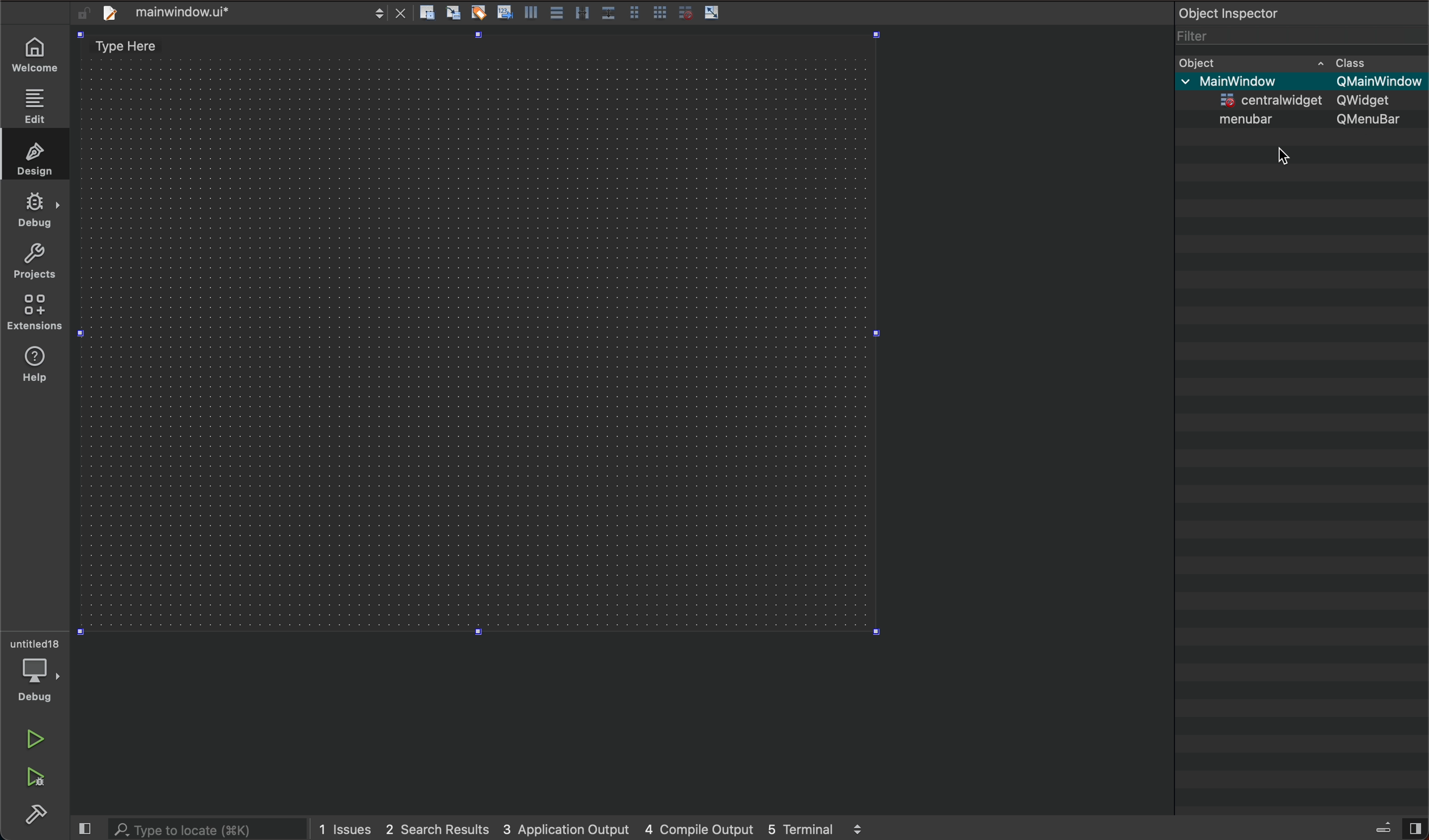 The image size is (1429, 840). Describe the element at coordinates (33, 266) in the screenshot. I see `projects` at that location.